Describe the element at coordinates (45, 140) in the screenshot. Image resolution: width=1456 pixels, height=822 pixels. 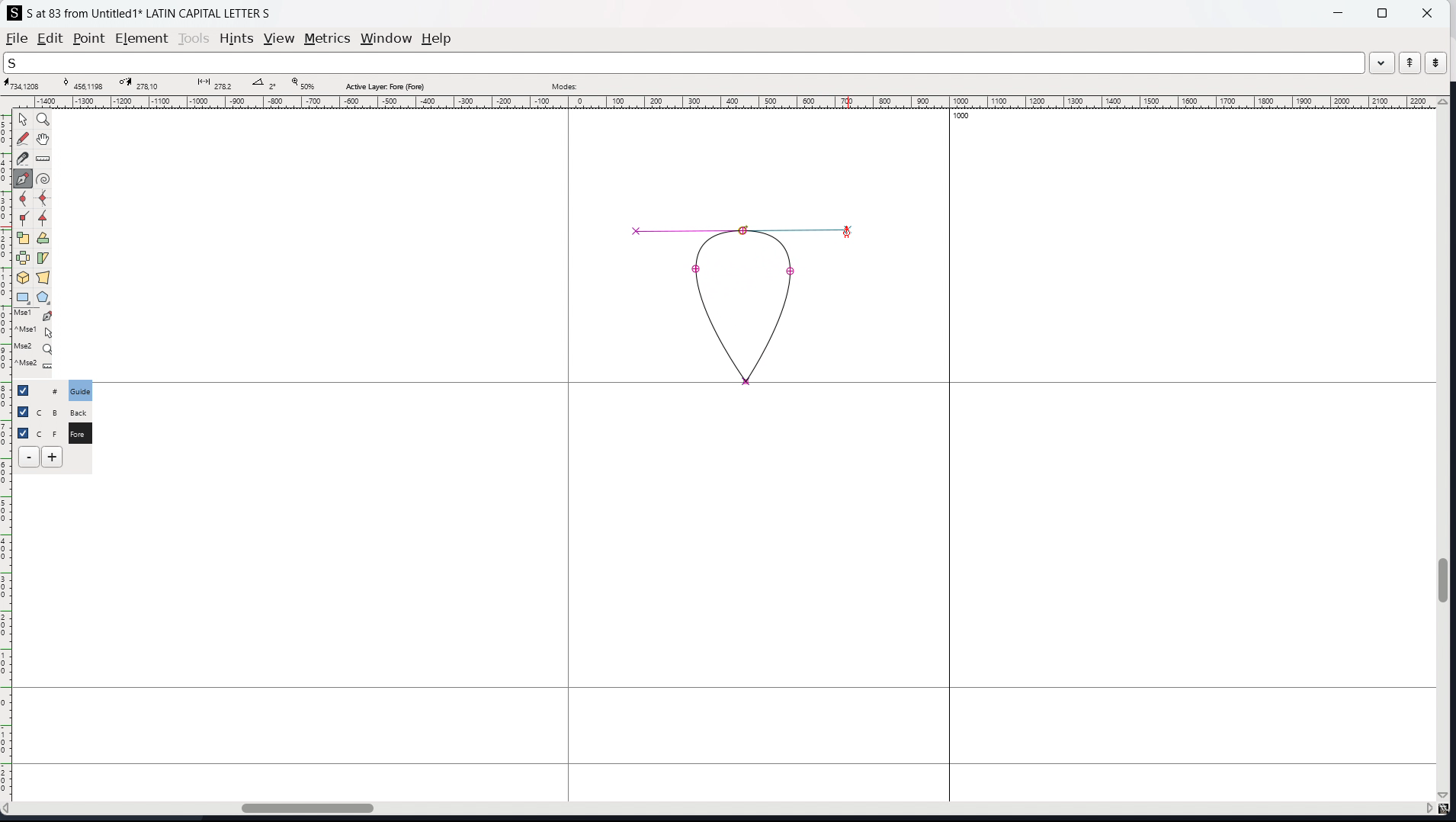
I see `scroll by hand` at that location.